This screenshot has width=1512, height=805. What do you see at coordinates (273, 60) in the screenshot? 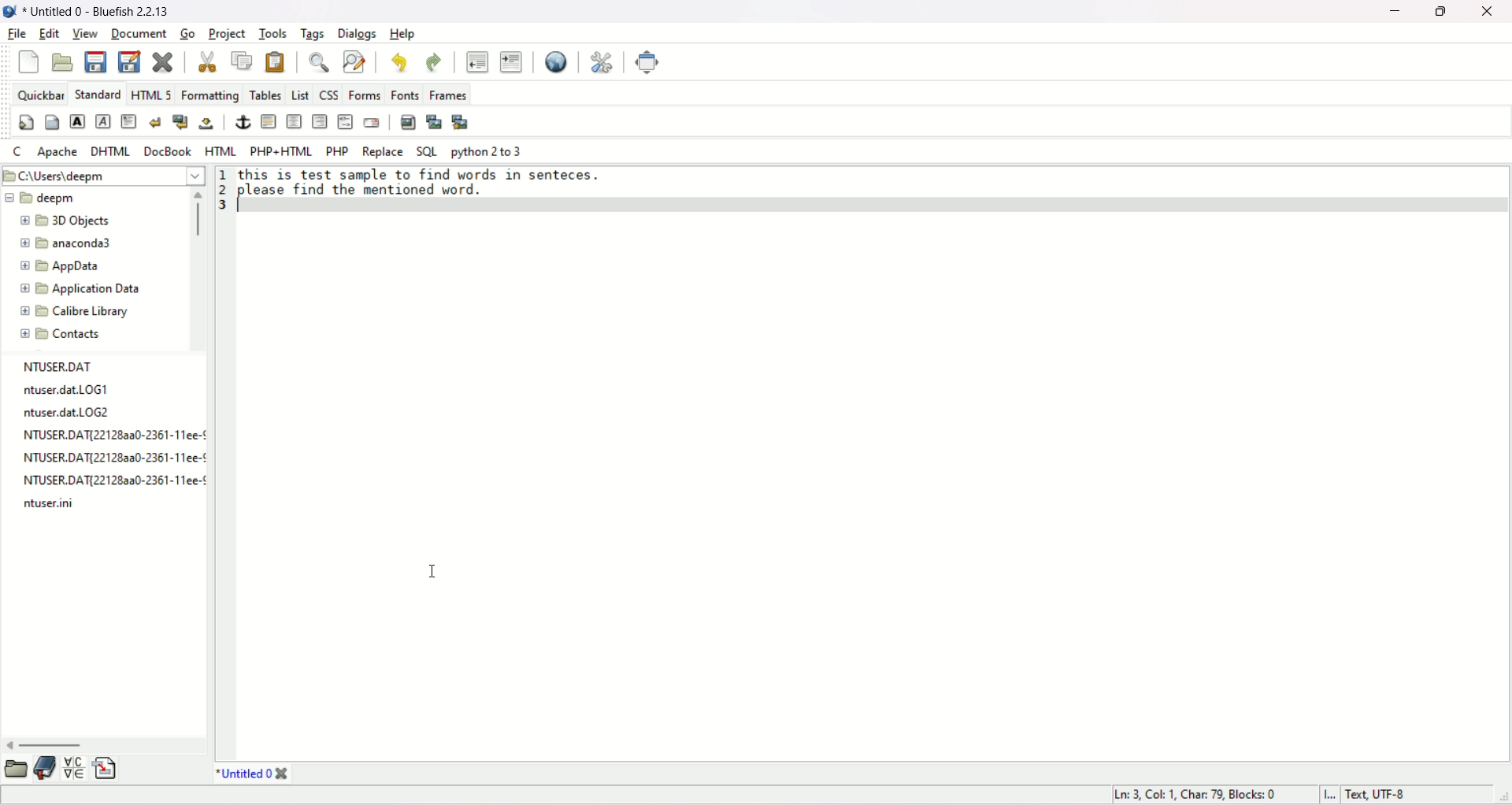
I see `paste` at bounding box center [273, 60].